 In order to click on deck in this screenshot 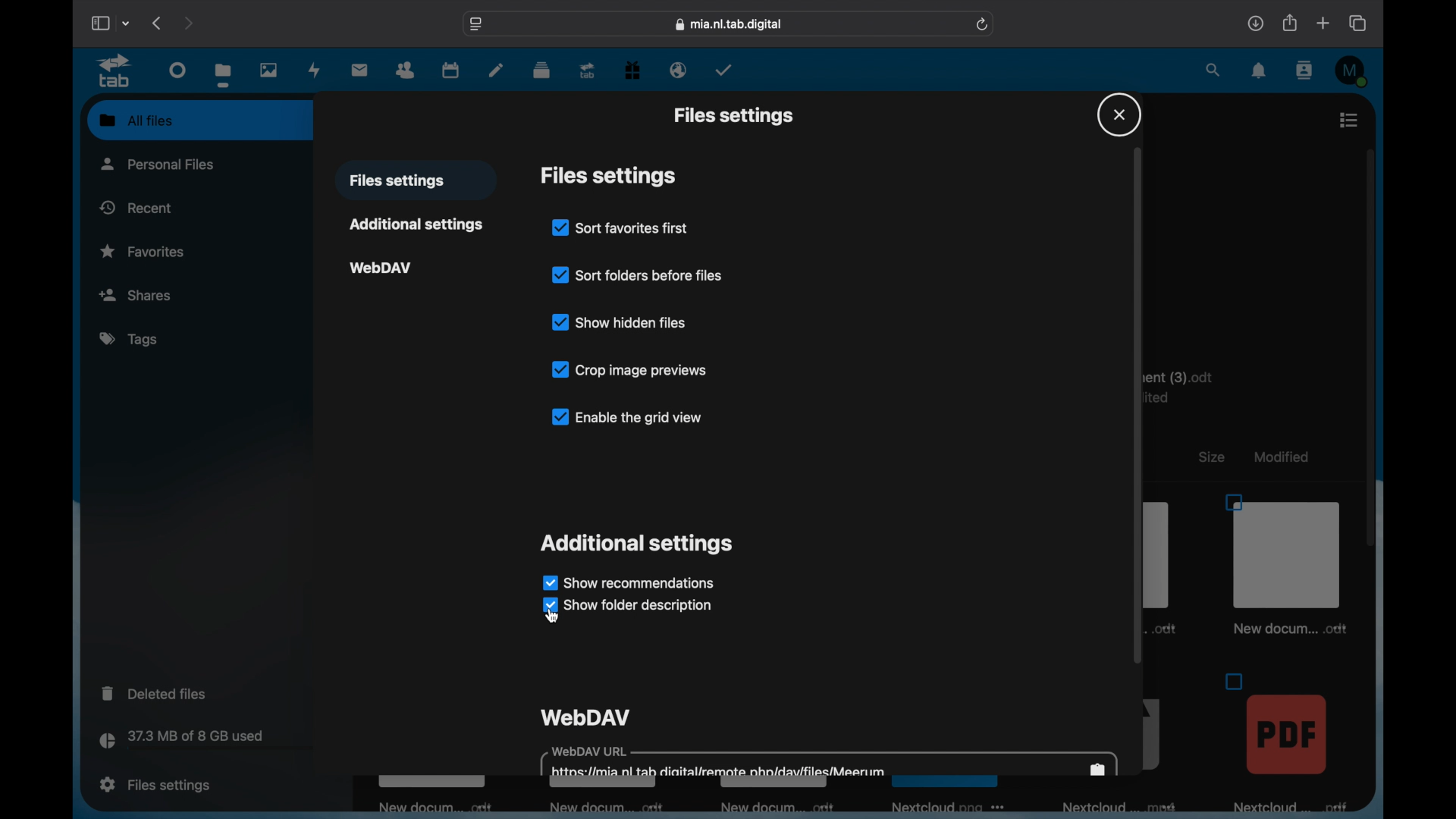, I will do `click(541, 71)`.